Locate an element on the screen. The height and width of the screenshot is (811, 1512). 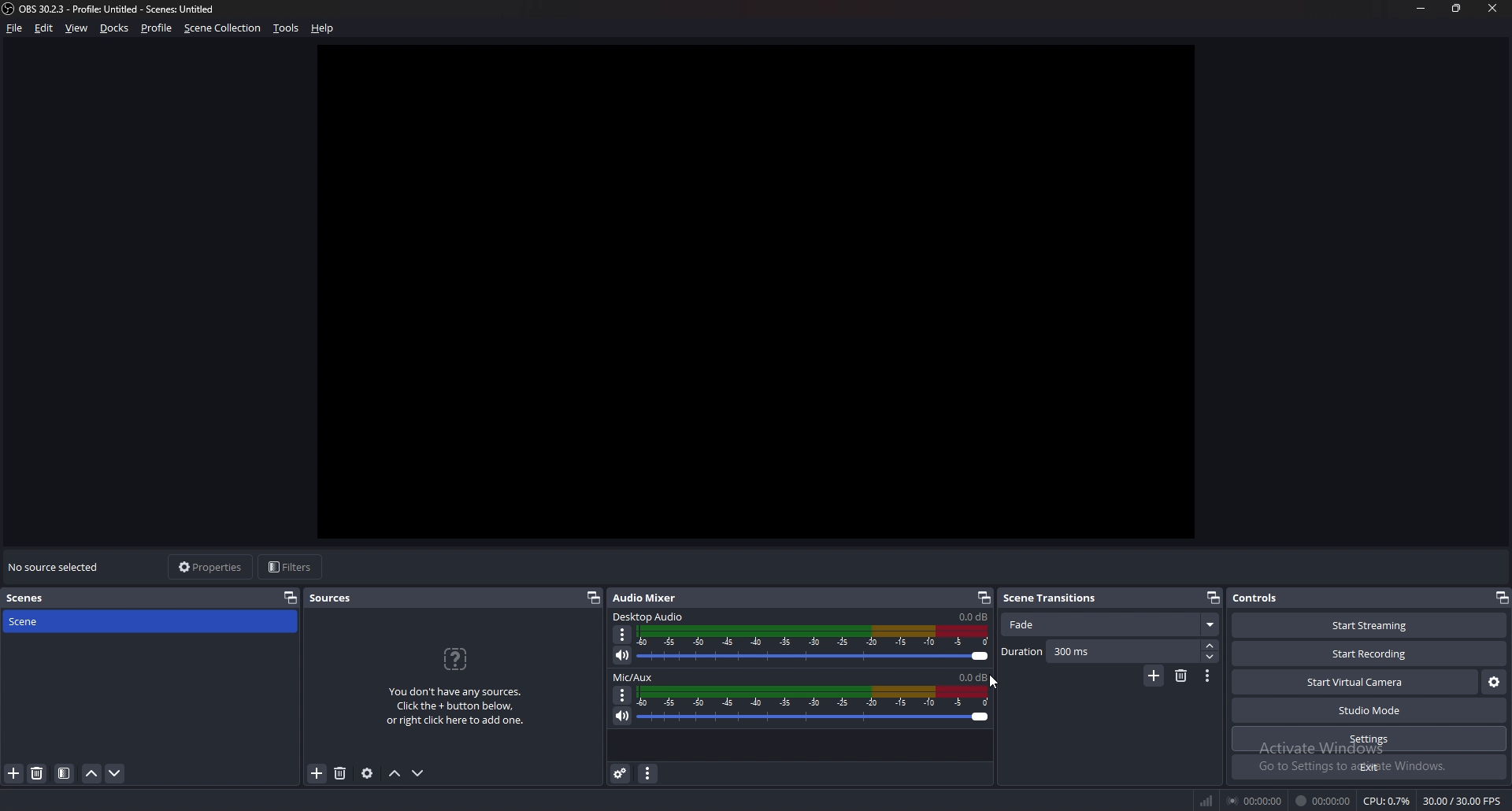
start recording is located at coordinates (1370, 654).